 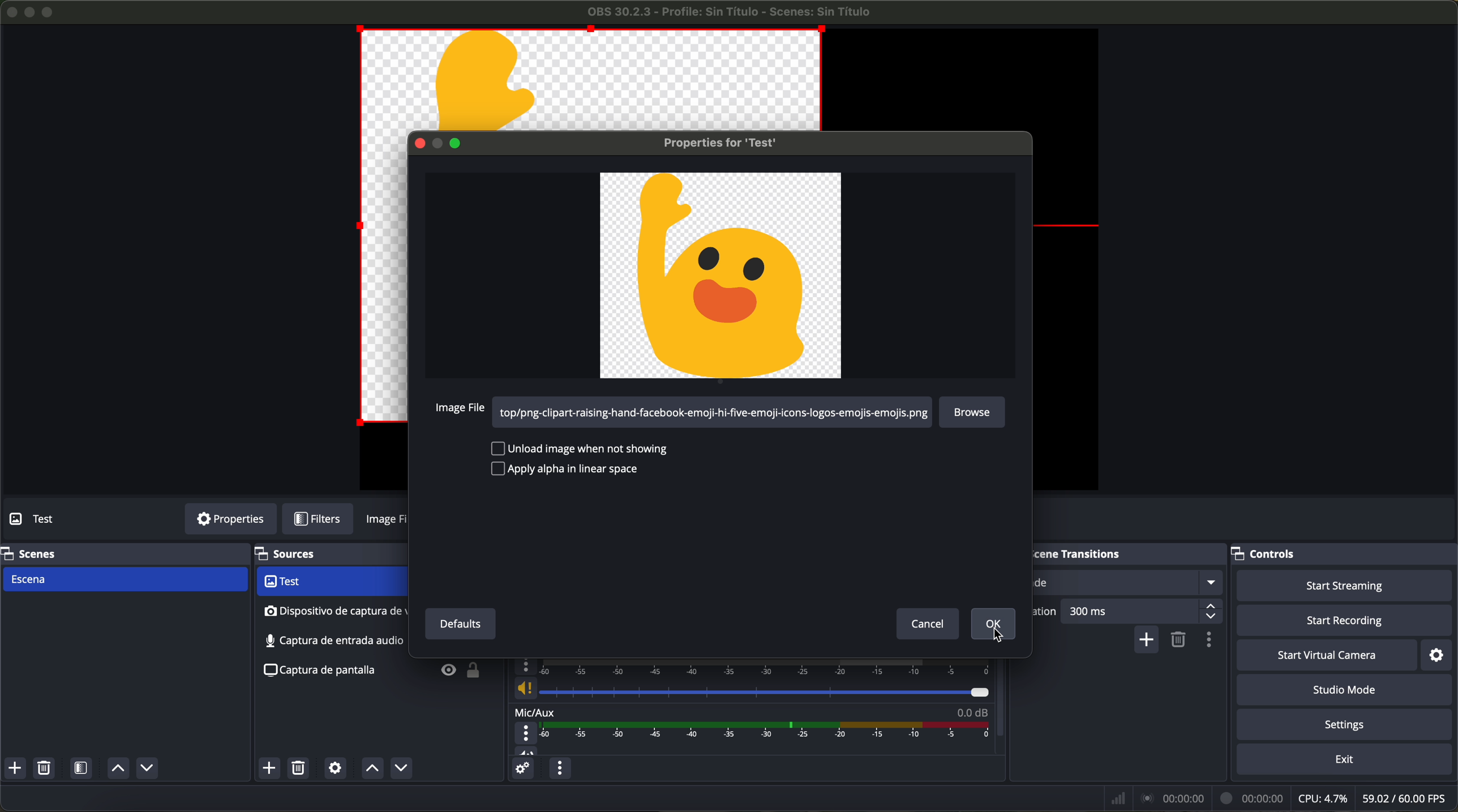 I want to click on apply alpha, so click(x=574, y=469).